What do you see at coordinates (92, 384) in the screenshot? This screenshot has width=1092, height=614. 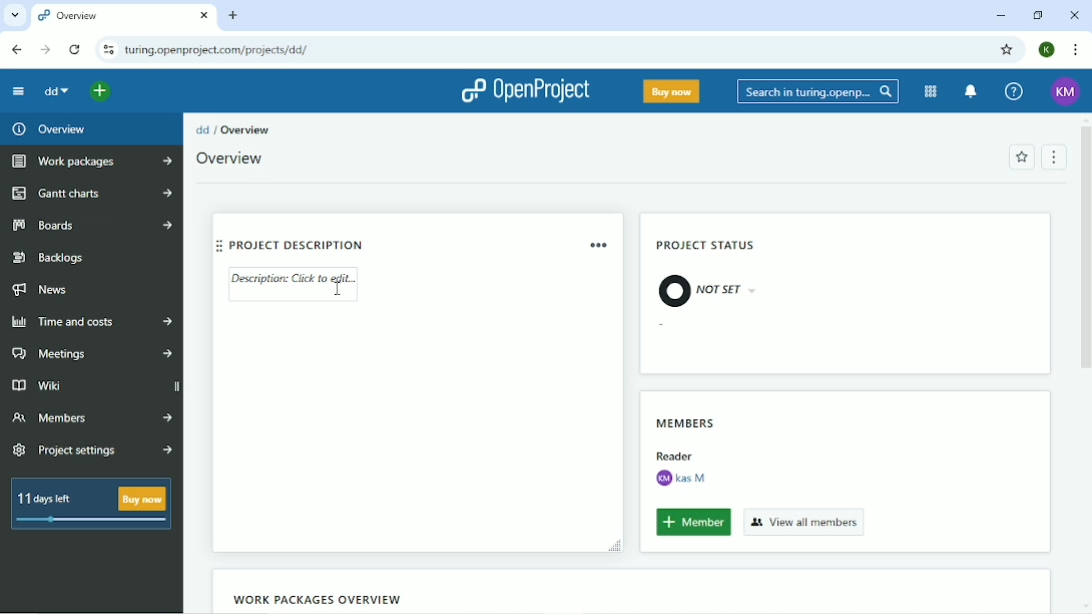 I see `Wiki` at bounding box center [92, 384].